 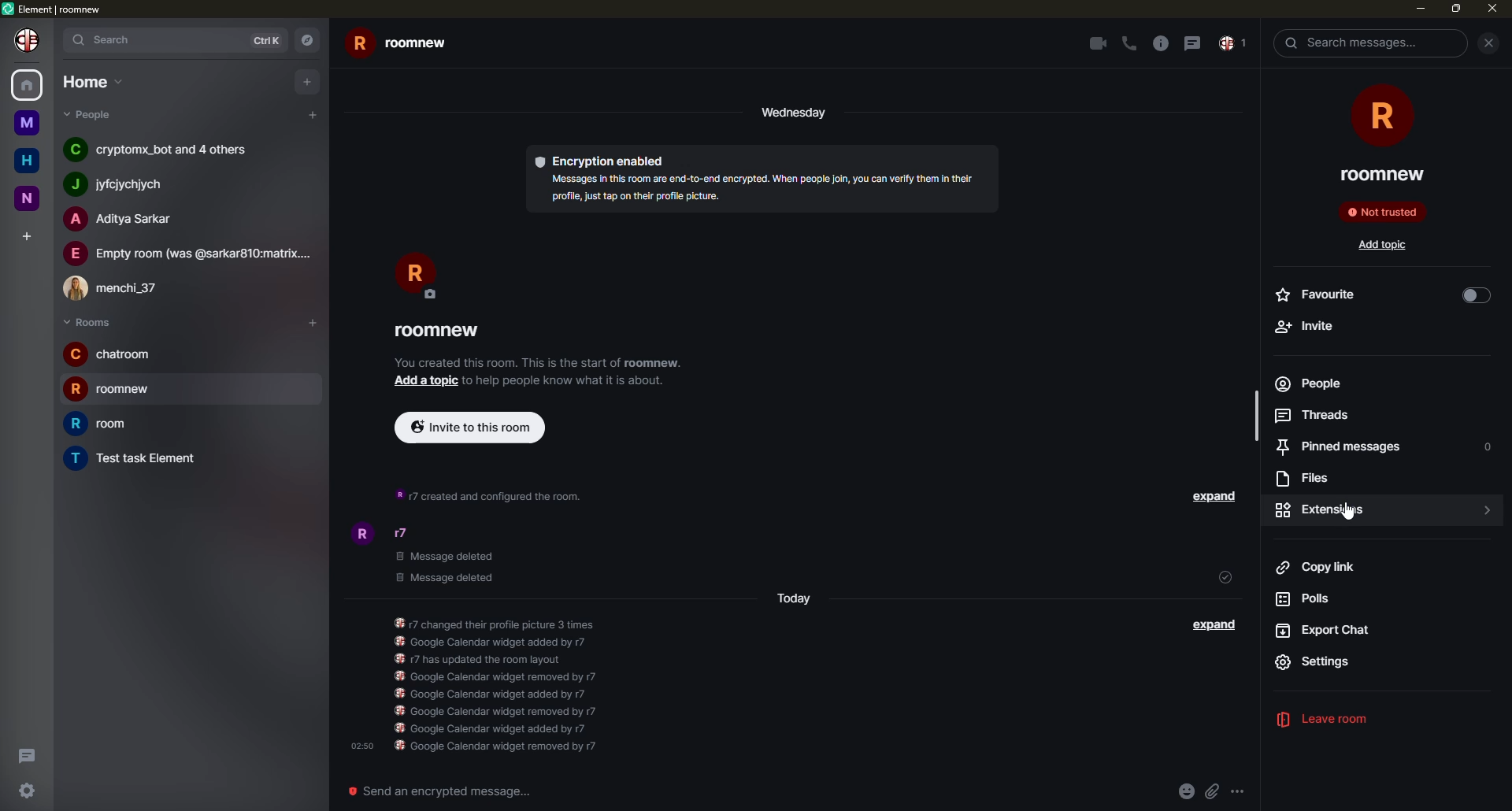 I want to click on inbox, so click(x=1235, y=44).